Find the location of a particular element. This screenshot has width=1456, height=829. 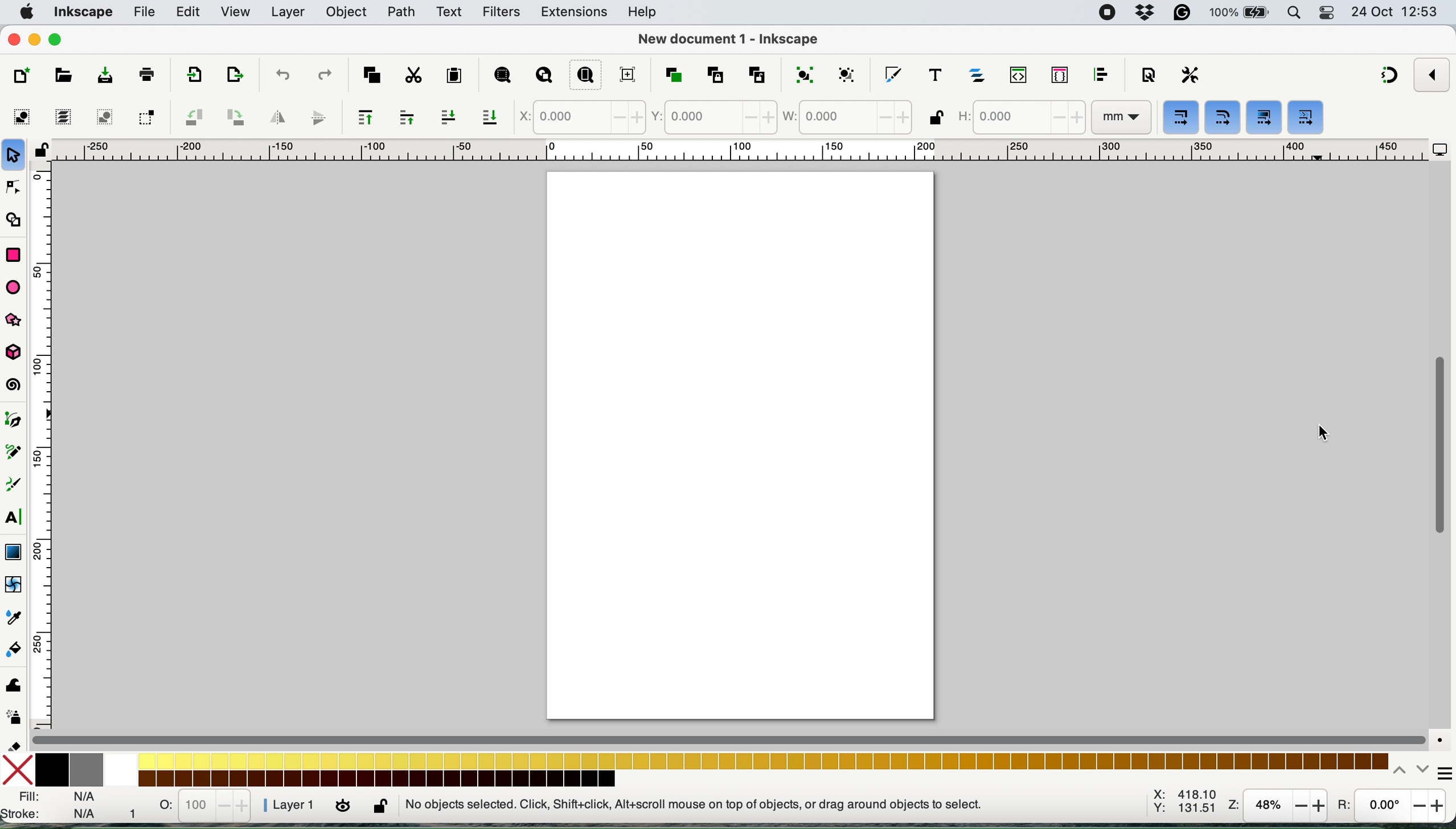

control center is located at coordinates (1327, 13).